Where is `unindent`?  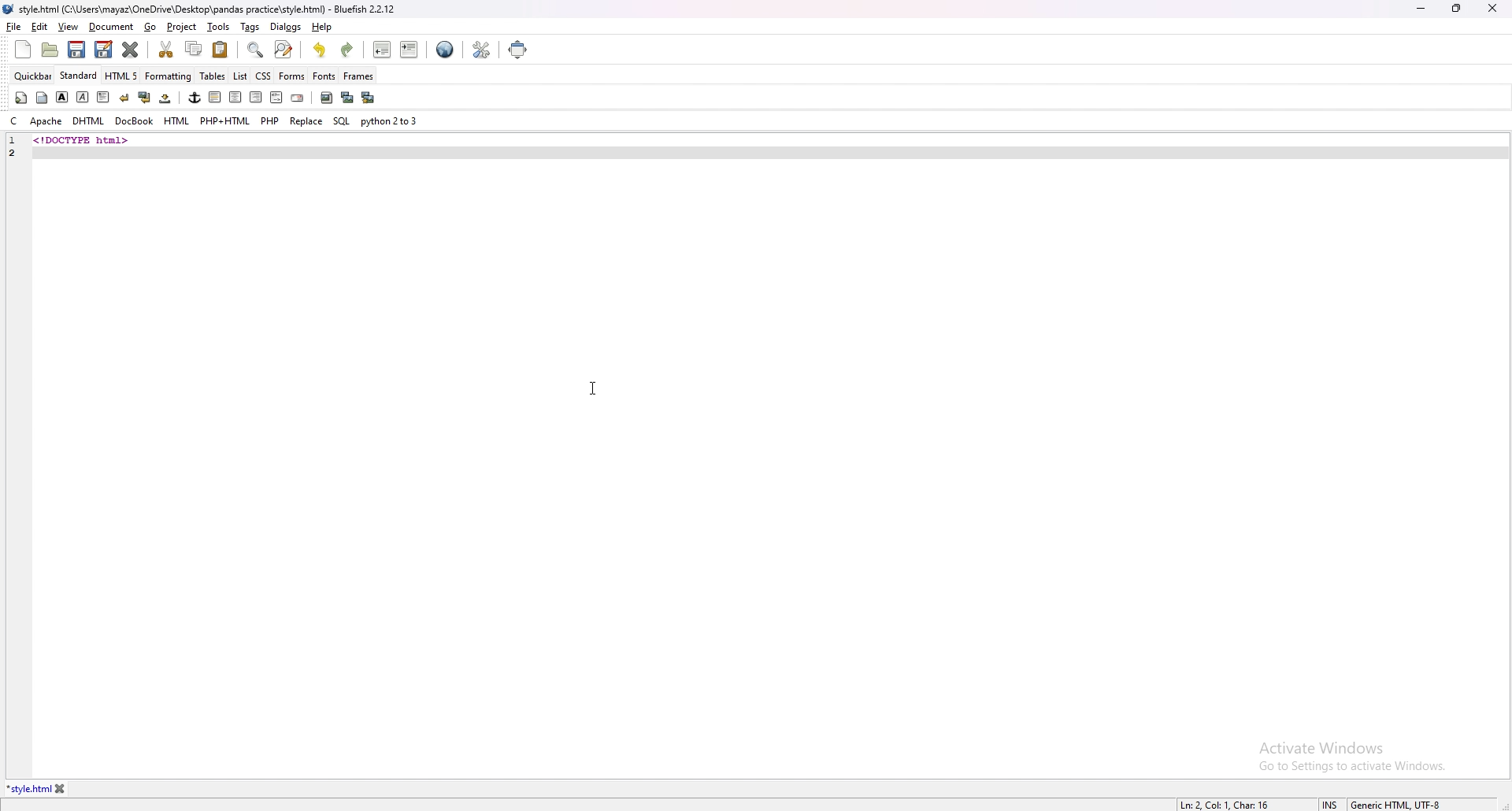 unindent is located at coordinates (383, 50).